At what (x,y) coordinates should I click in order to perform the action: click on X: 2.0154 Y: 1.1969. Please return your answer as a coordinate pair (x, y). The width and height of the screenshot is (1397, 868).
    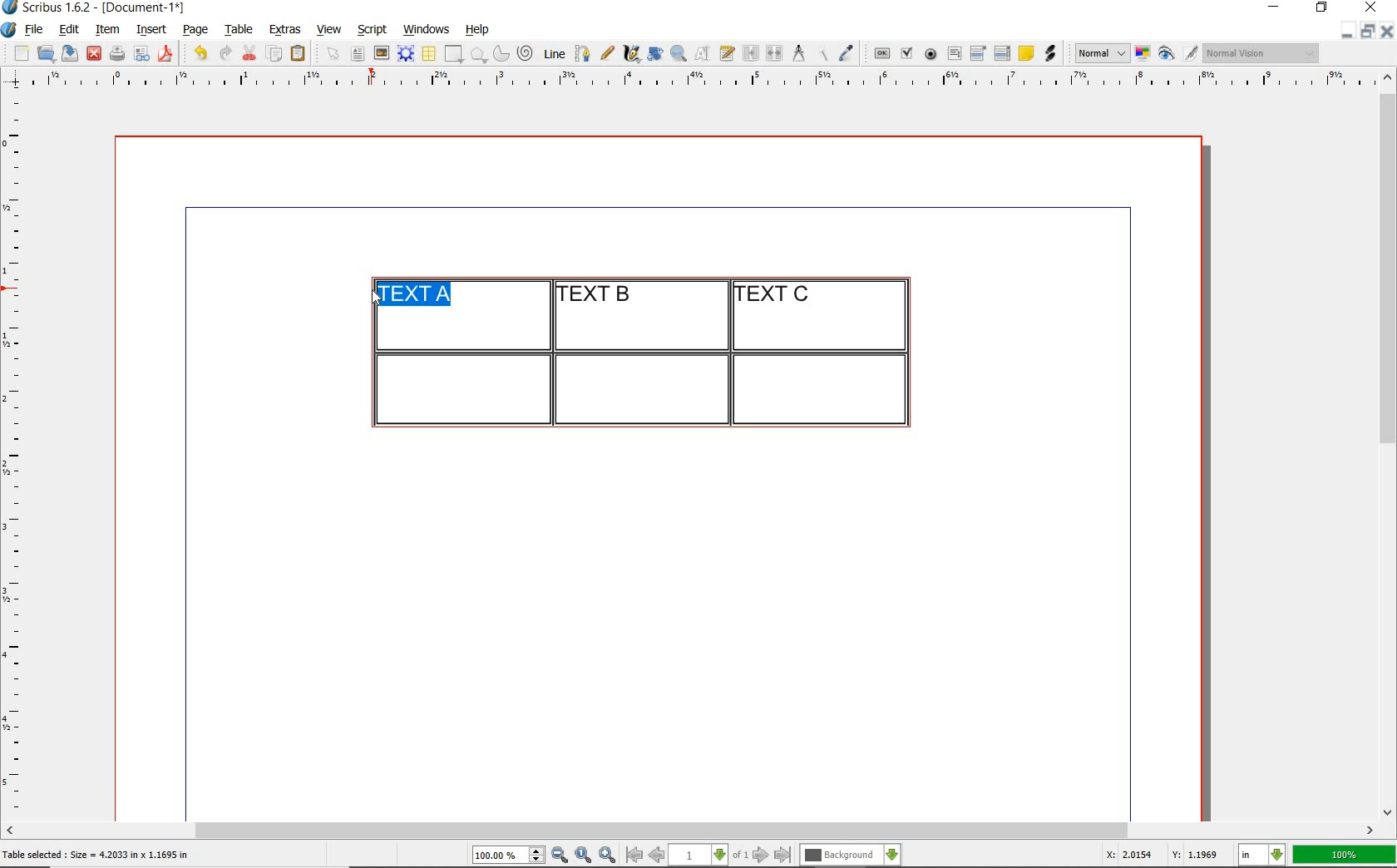
    Looking at the image, I should click on (1165, 855).